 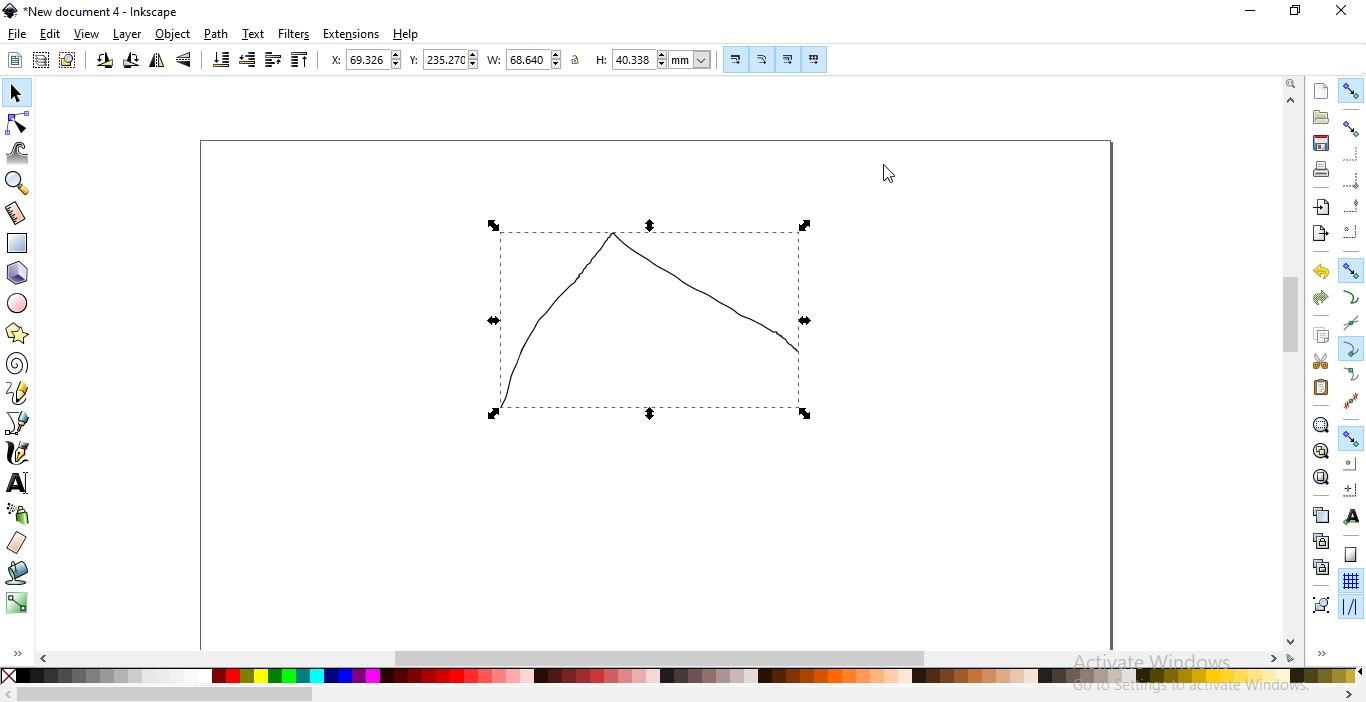 I want to click on edit, so click(x=50, y=36).